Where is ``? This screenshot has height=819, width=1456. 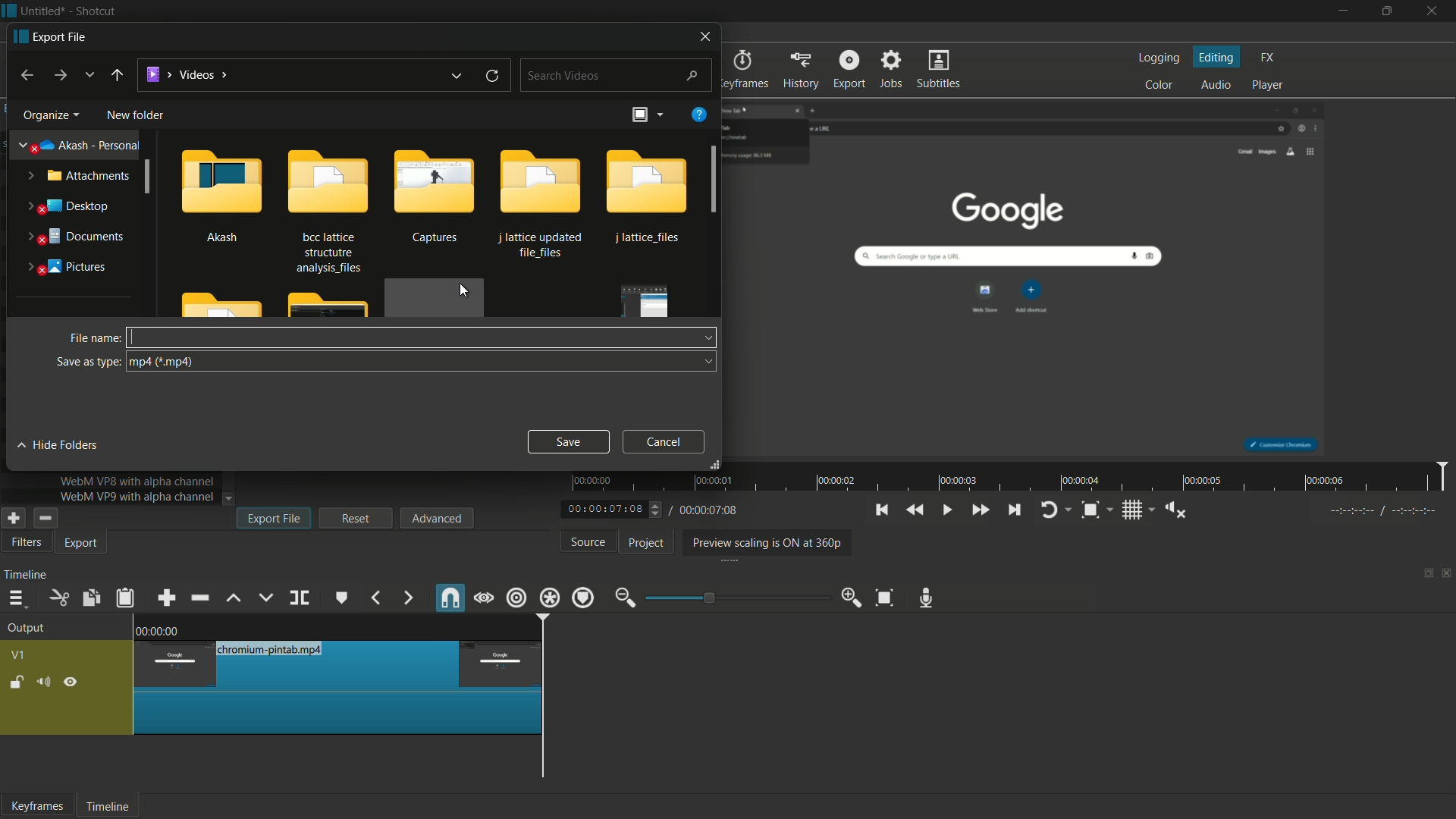
 is located at coordinates (1267, 55).